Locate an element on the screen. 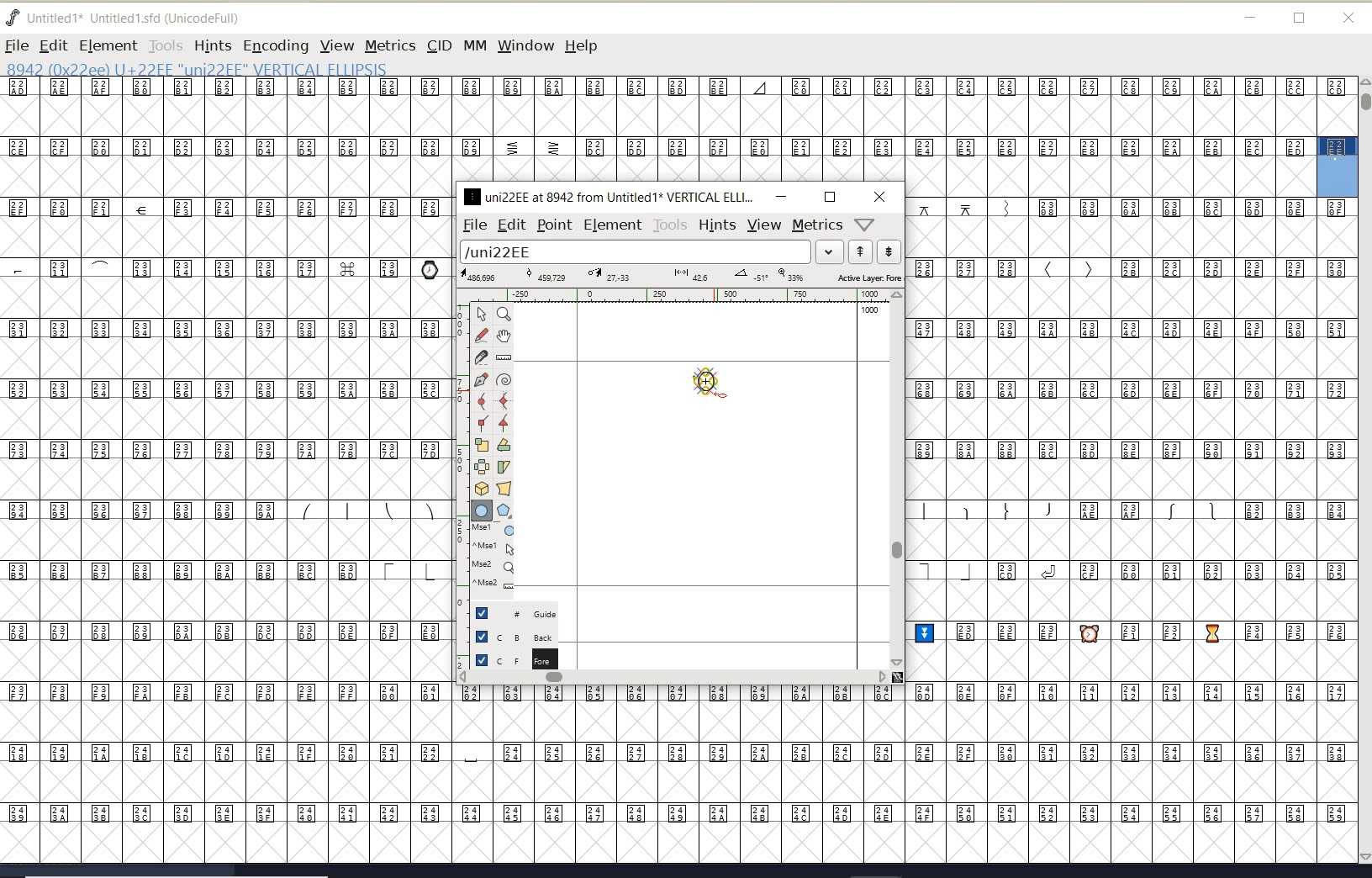  load word list is located at coordinates (648, 253).